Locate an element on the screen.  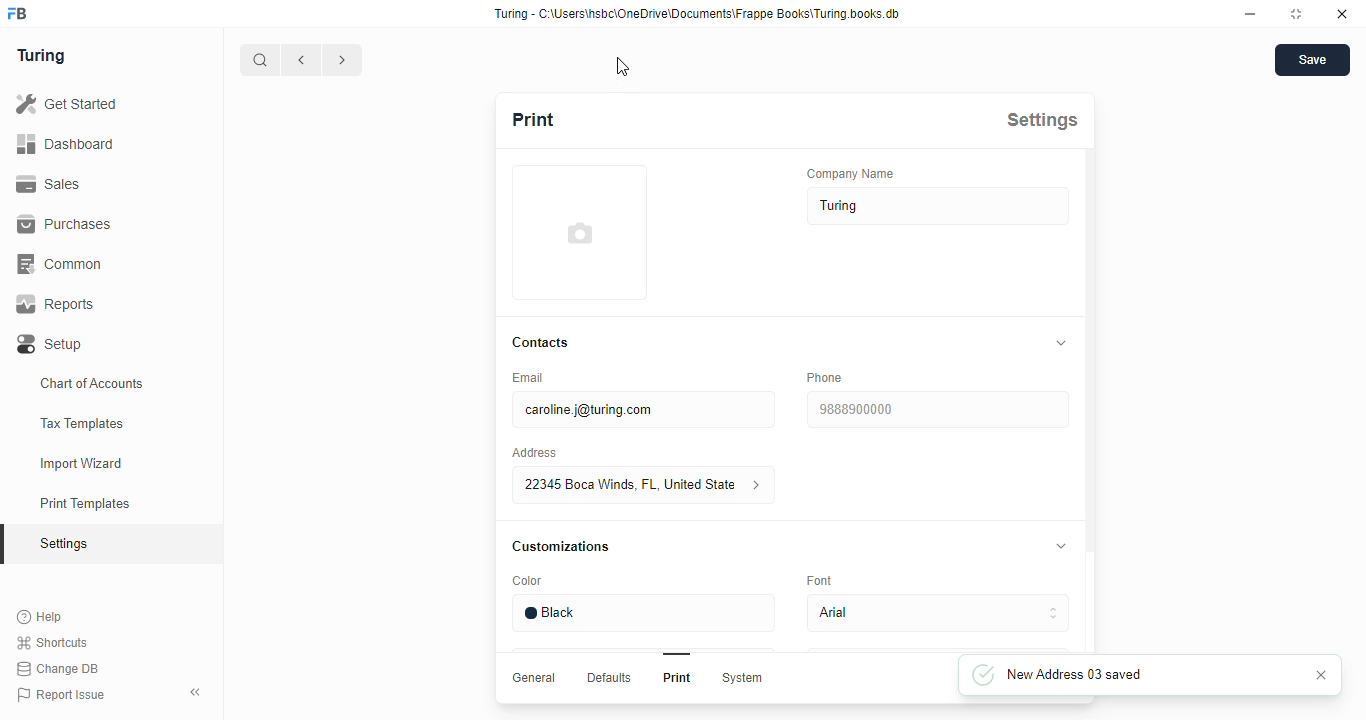
help is located at coordinates (41, 617).